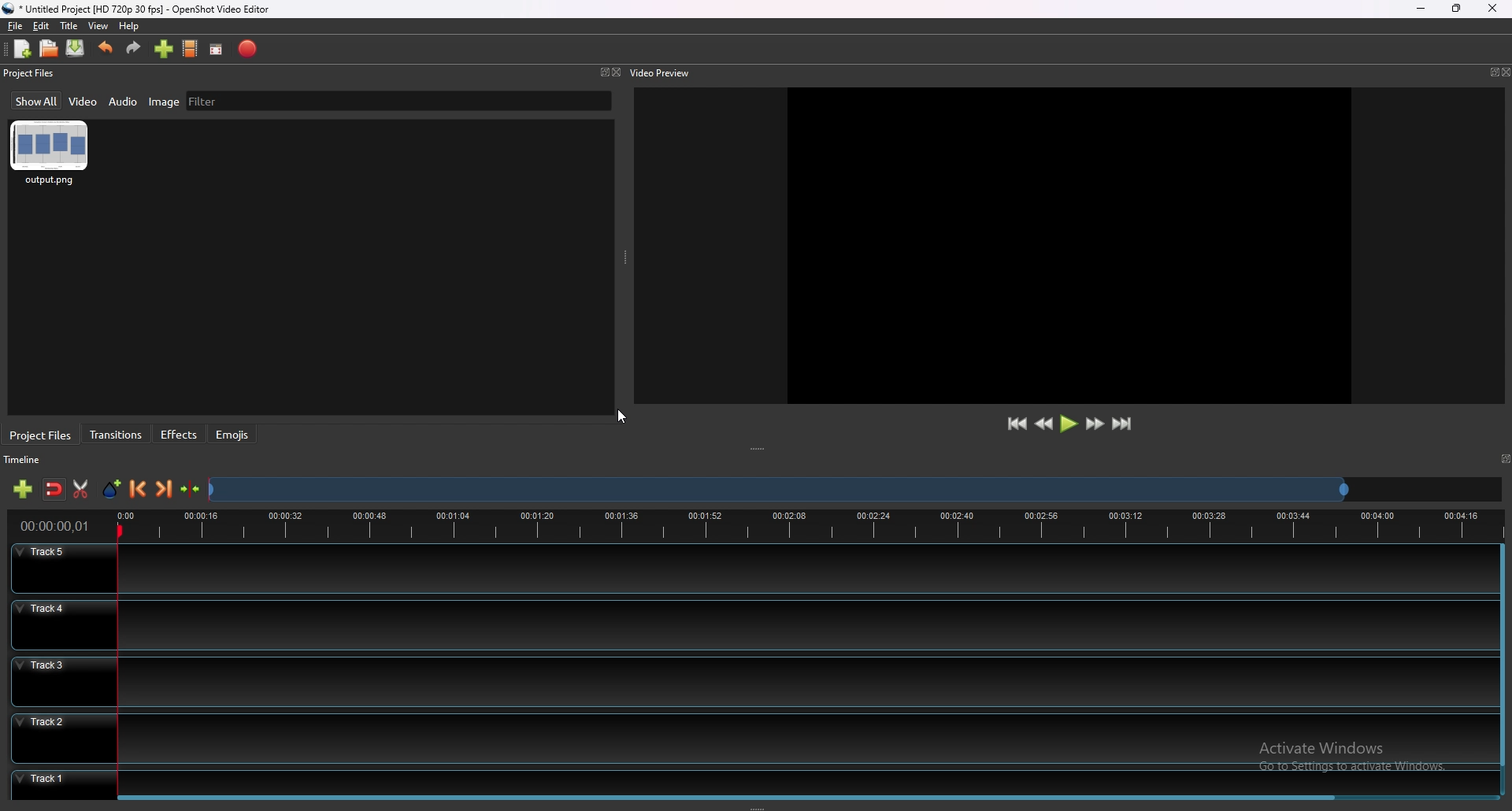 Image resolution: width=1512 pixels, height=811 pixels. I want to click on adjust, so click(761, 450).